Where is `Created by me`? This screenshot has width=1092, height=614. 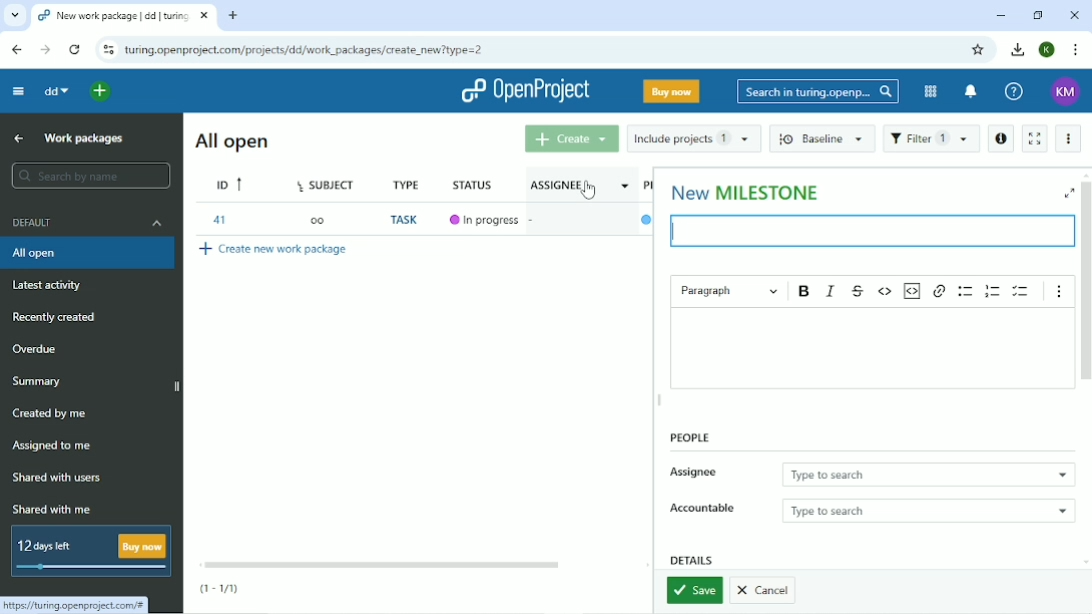
Created by me is located at coordinates (51, 414).